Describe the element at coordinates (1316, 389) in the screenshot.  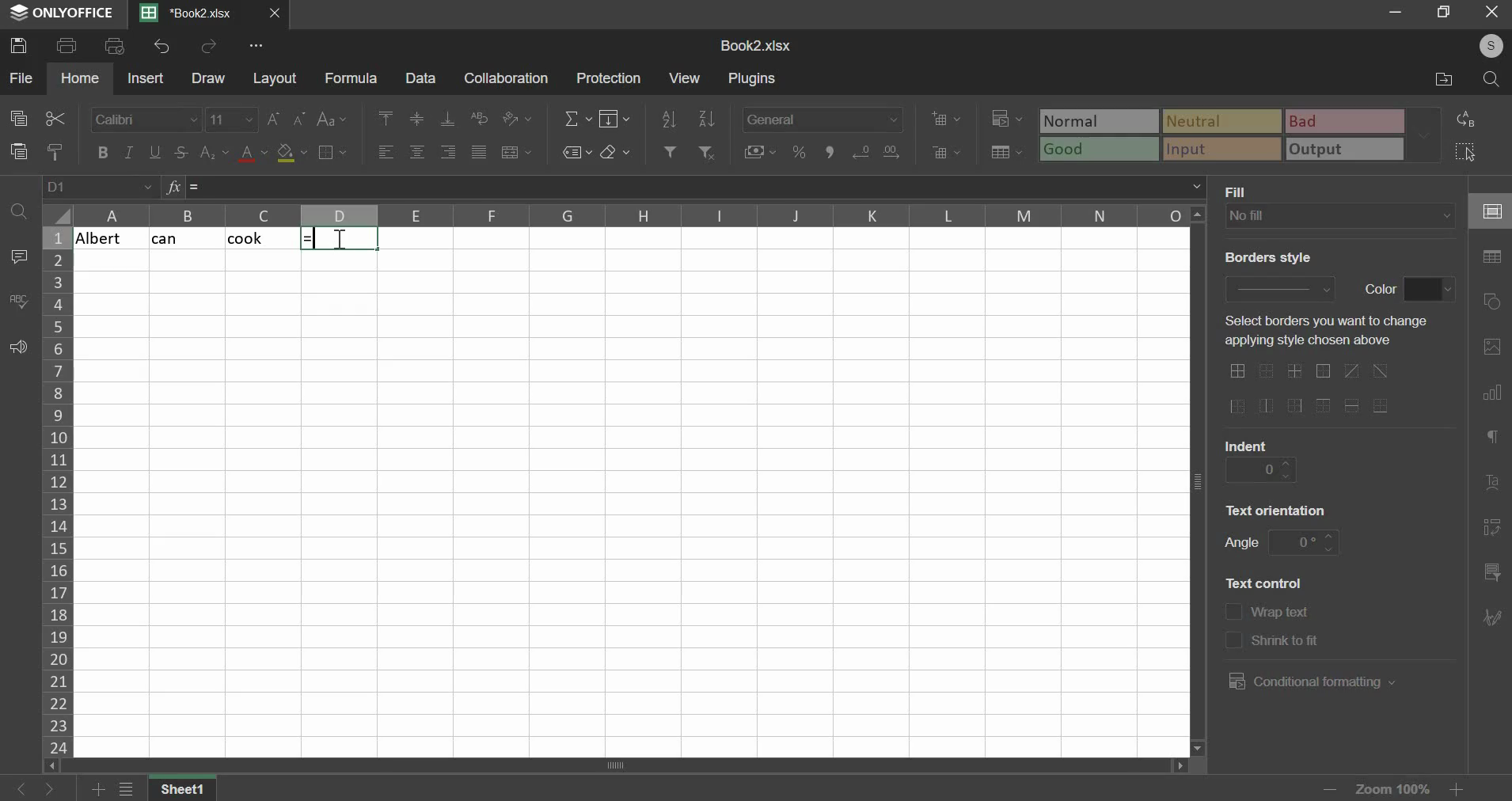
I see `border options` at that location.